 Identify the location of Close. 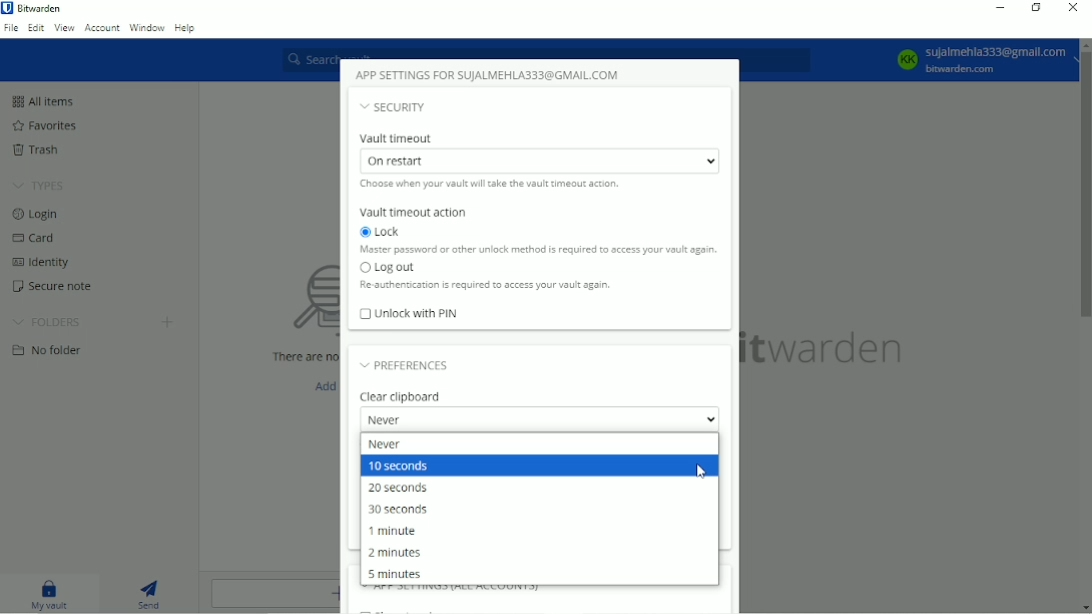
(1074, 9).